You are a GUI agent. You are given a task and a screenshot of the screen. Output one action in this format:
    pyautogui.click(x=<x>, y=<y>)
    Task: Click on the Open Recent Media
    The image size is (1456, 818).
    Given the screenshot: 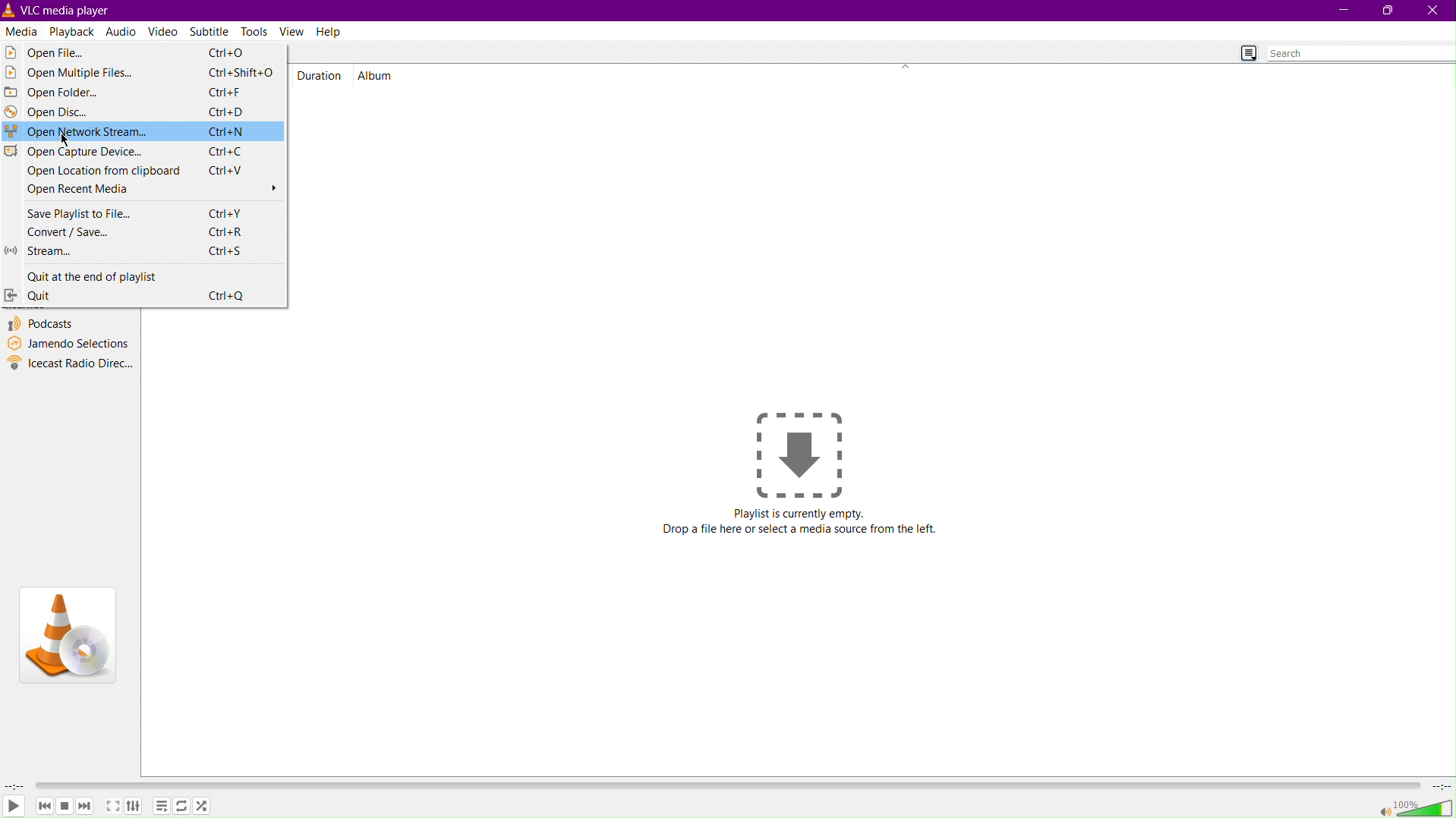 What is the action you would take?
    pyautogui.click(x=142, y=191)
    